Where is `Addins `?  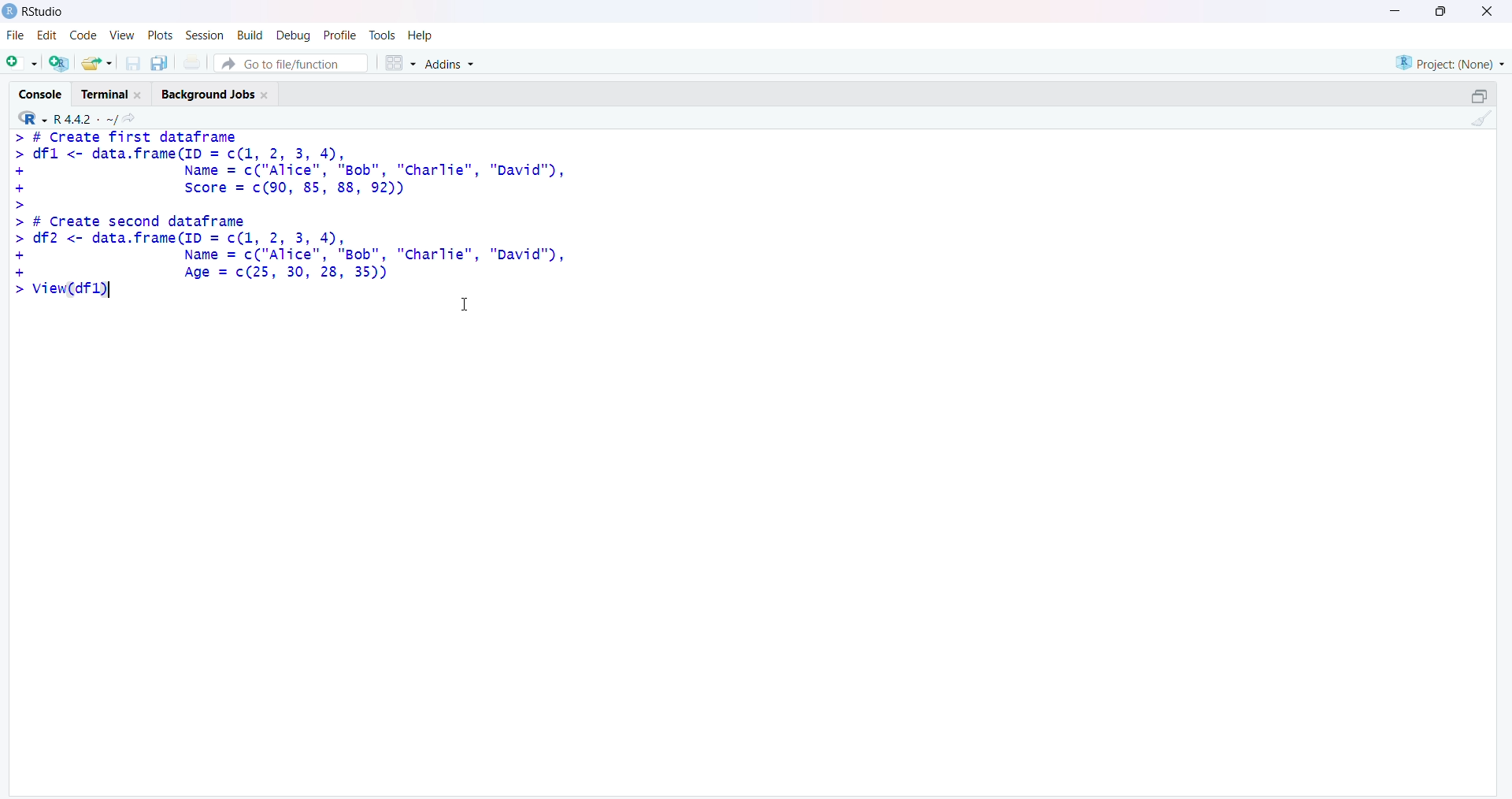 Addins  is located at coordinates (448, 63).